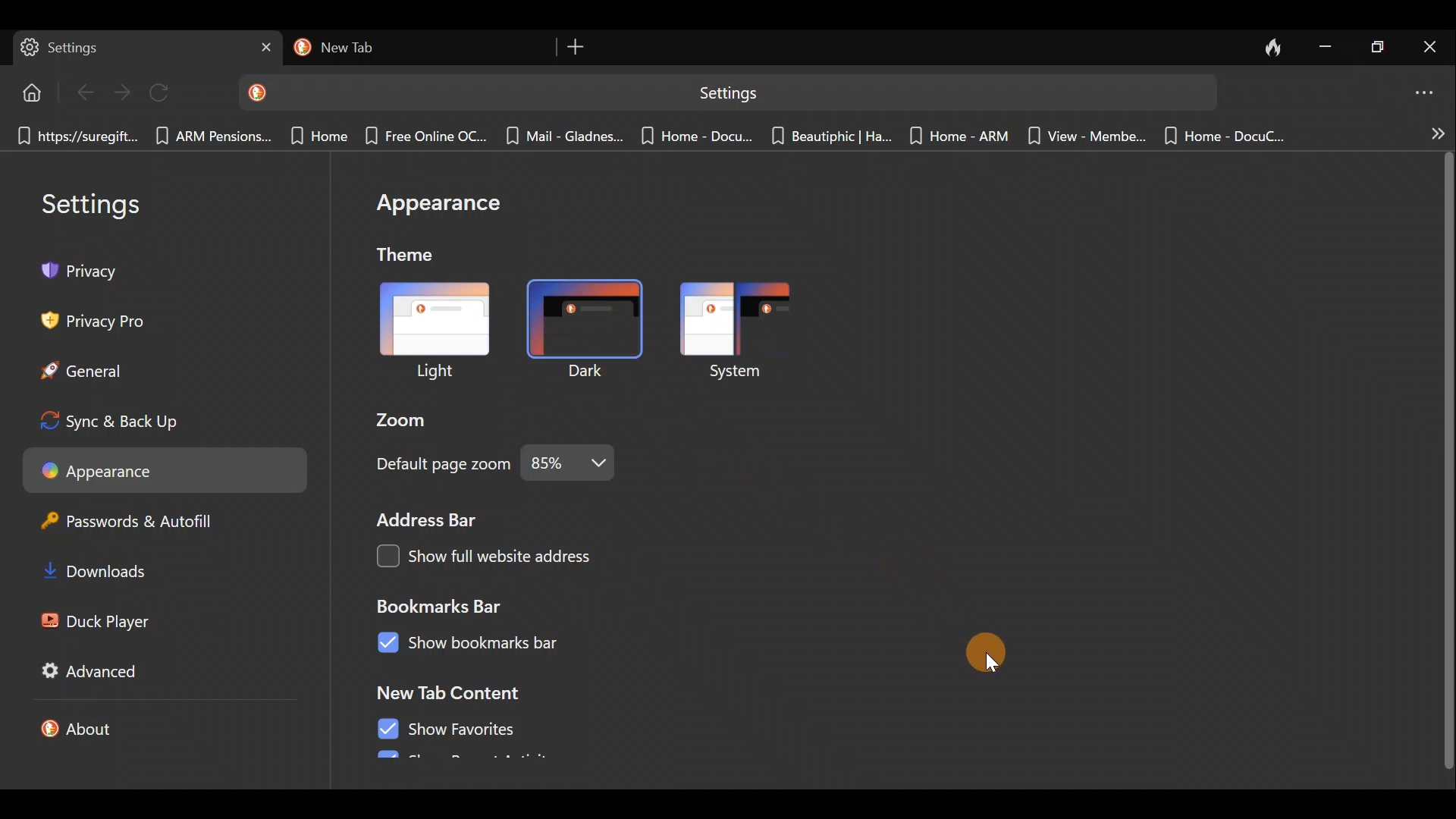  What do you see at coordinates (74, 136) in the screenshot?
I see `Bookmark 1` at bounding box center [74, 136].